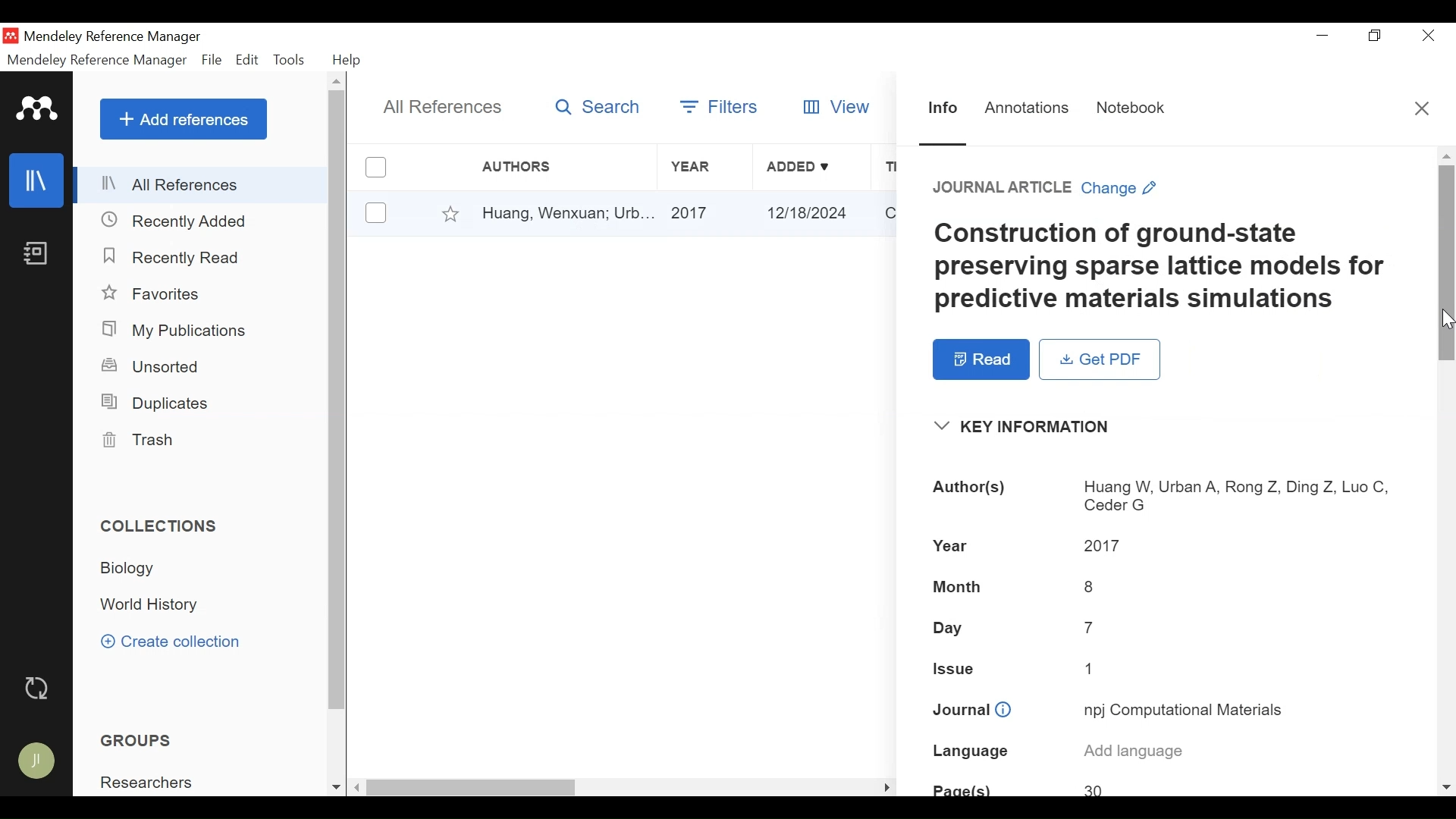 Image resolution: width=1456 pixels, height=819 pixels. I want to click on Search, so click(598, 108).